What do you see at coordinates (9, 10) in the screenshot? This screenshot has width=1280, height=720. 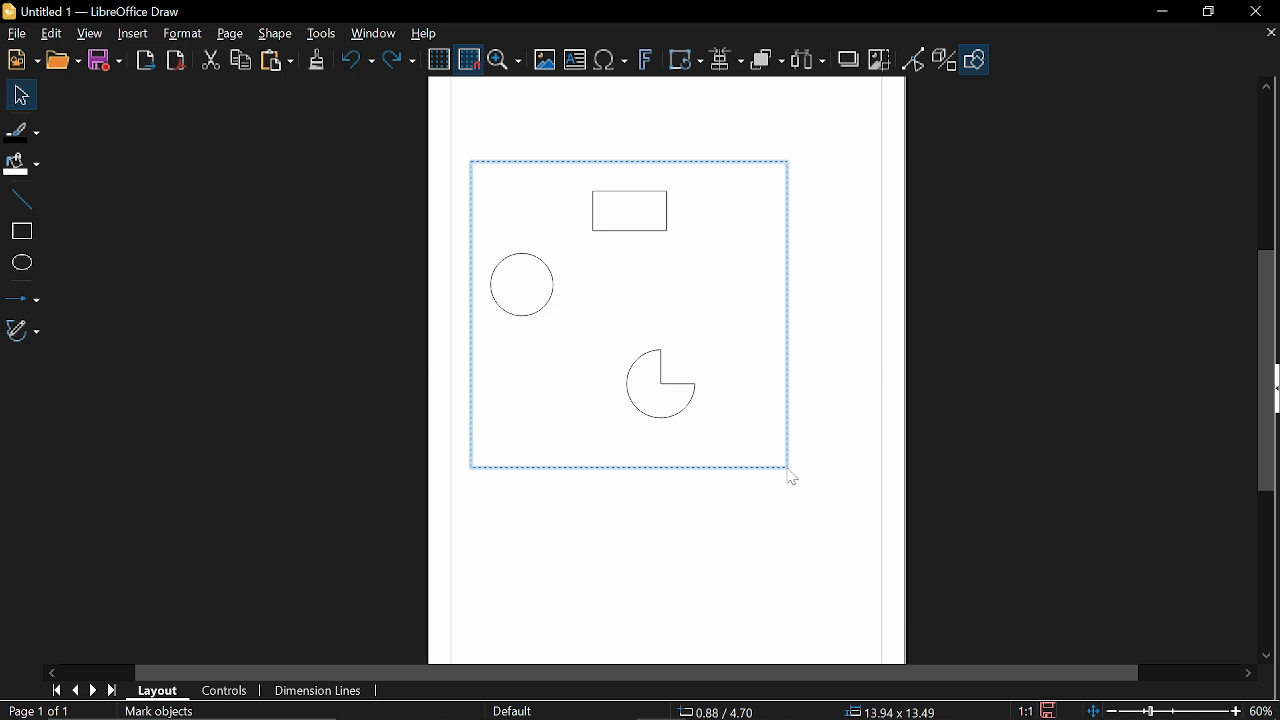 I see `Libreoffice Logo` at bounding box center [9, 10].